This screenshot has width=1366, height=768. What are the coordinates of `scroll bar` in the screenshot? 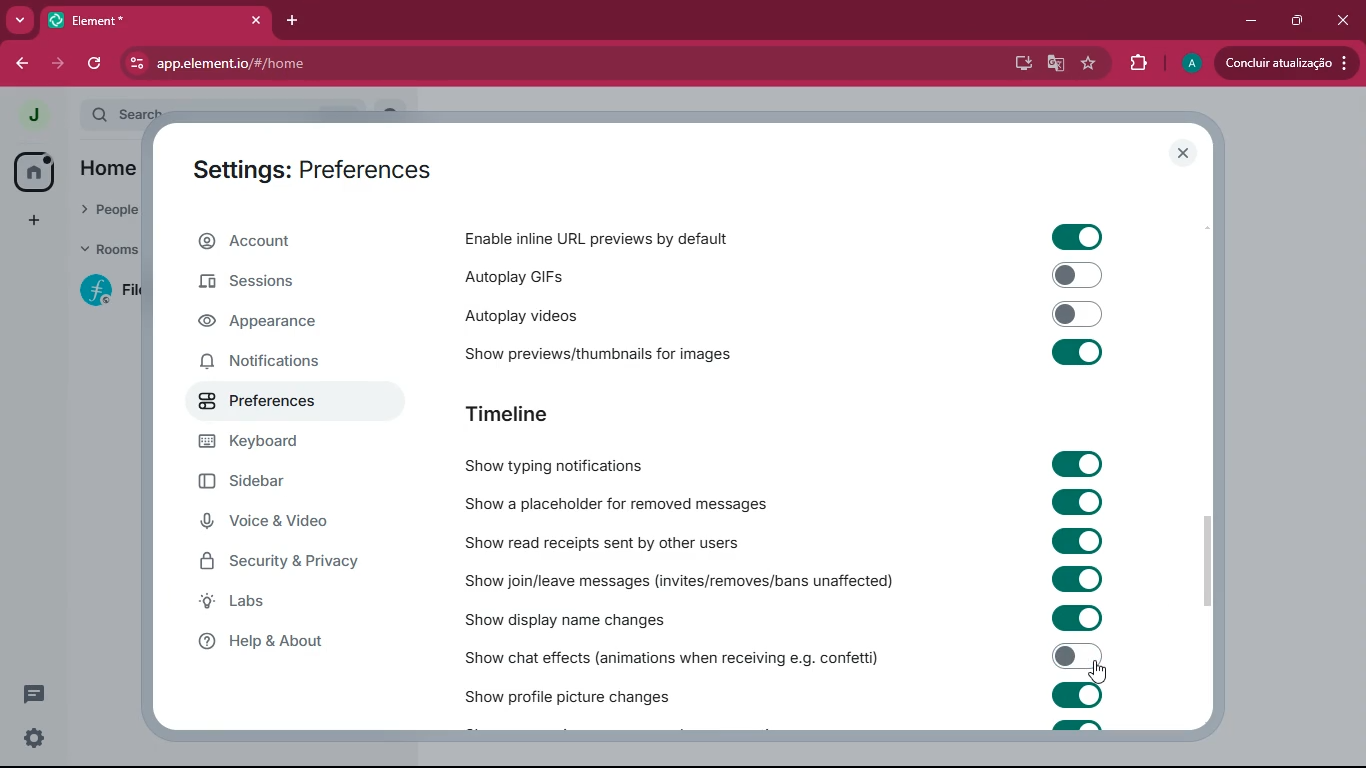 It's located at (1209, 556).